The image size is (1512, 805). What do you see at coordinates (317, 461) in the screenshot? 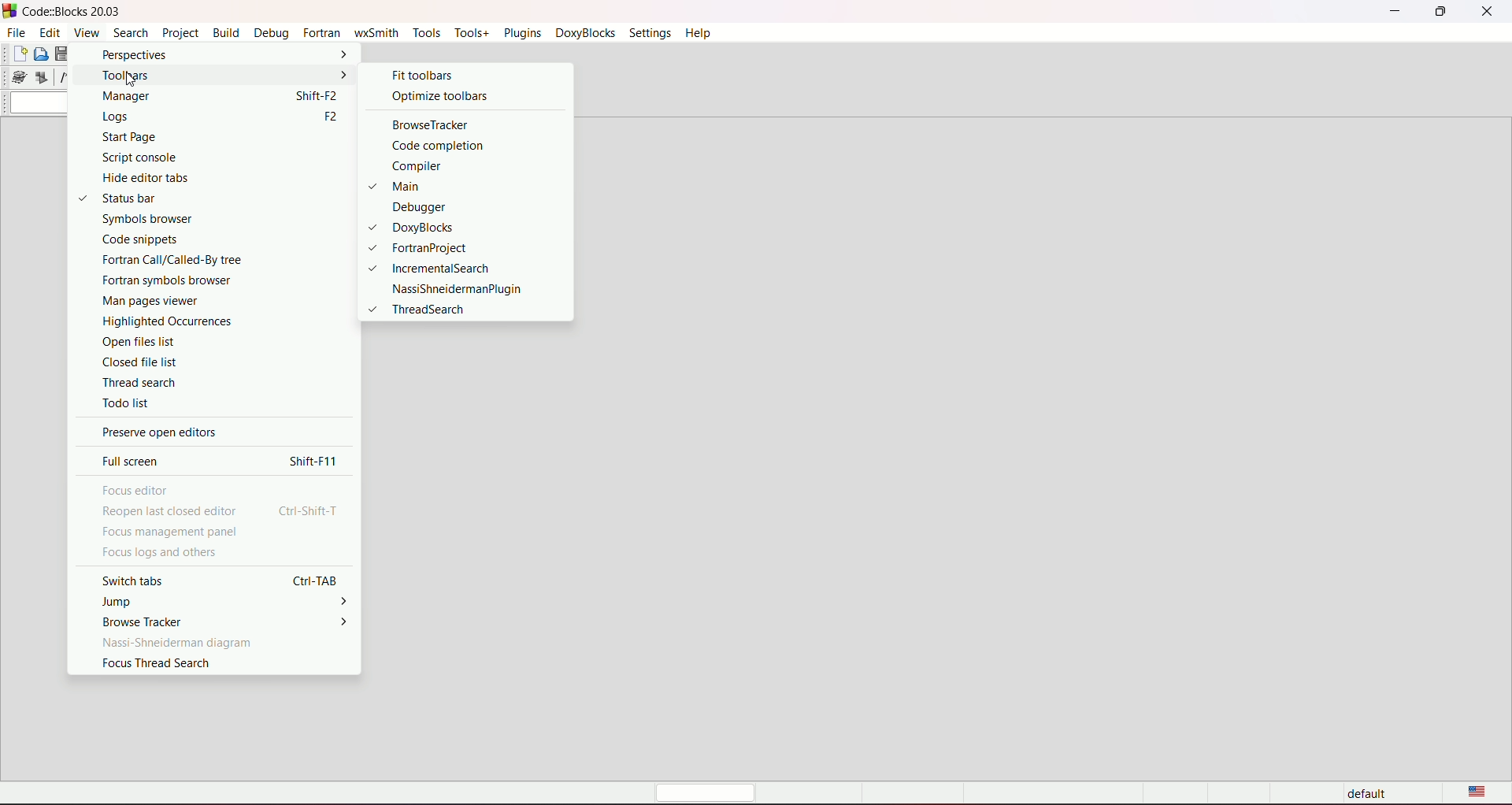
I see `shift+F11` at bounding box center [317, 461].